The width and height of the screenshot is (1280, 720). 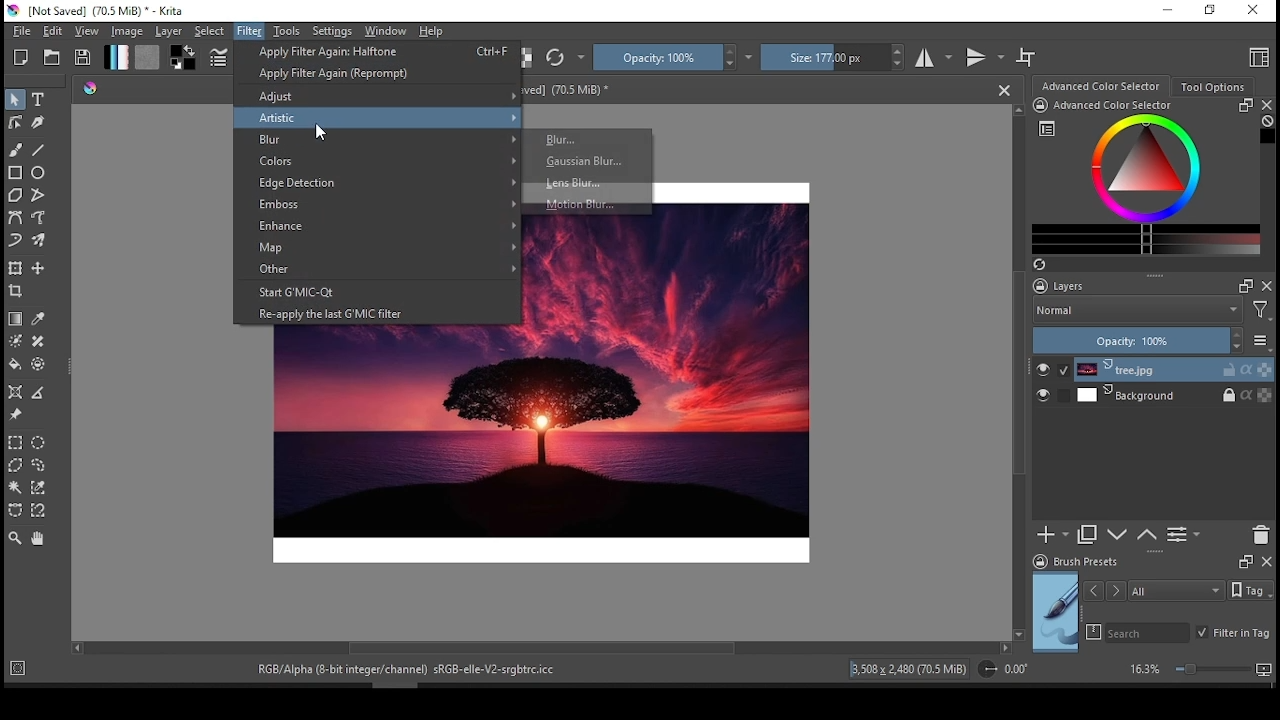 I want to click on calligraphy, so click(x=38, y=121).